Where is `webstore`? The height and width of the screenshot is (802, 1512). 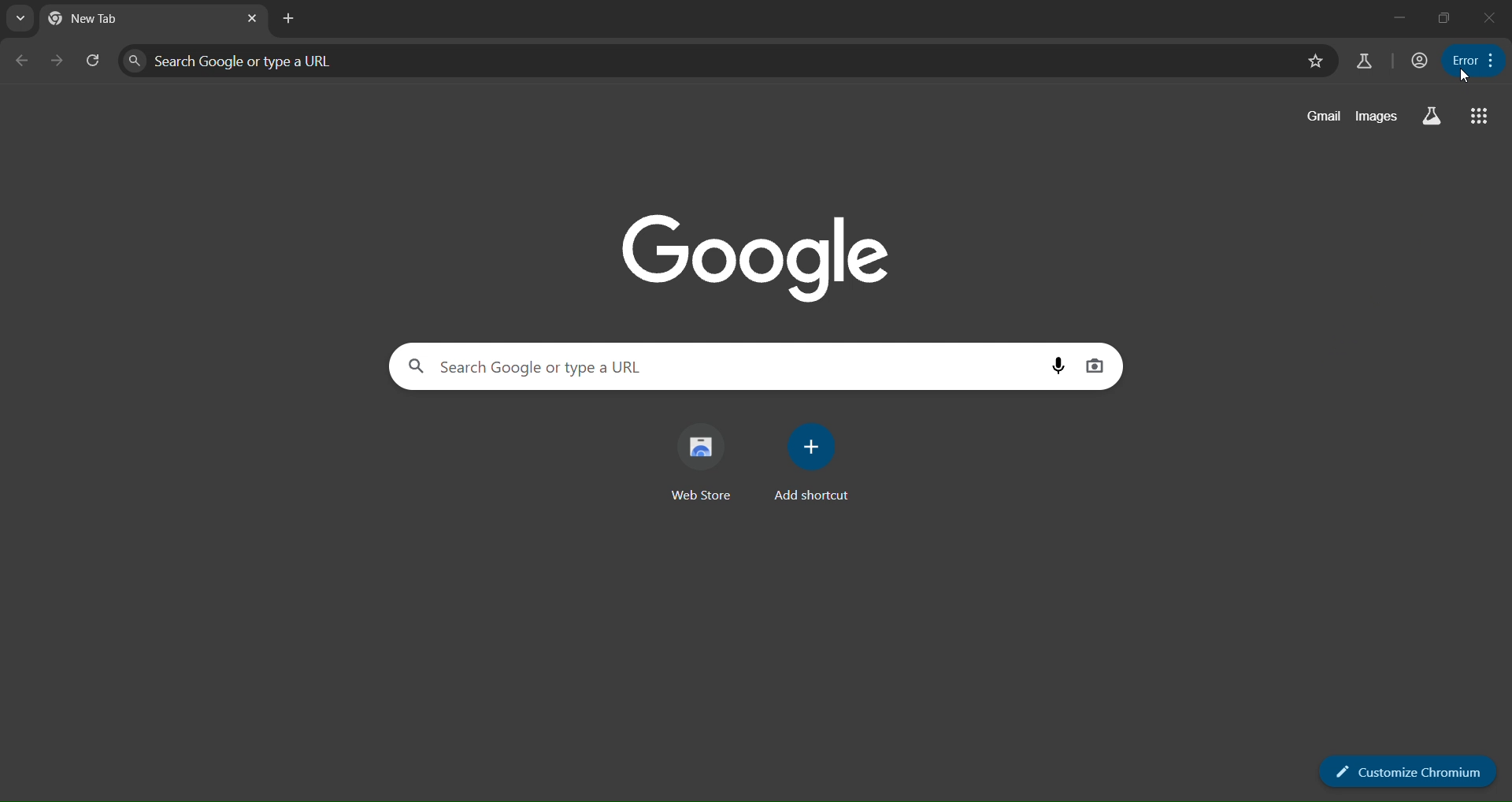 webstore is located at coordinates (707, 460).